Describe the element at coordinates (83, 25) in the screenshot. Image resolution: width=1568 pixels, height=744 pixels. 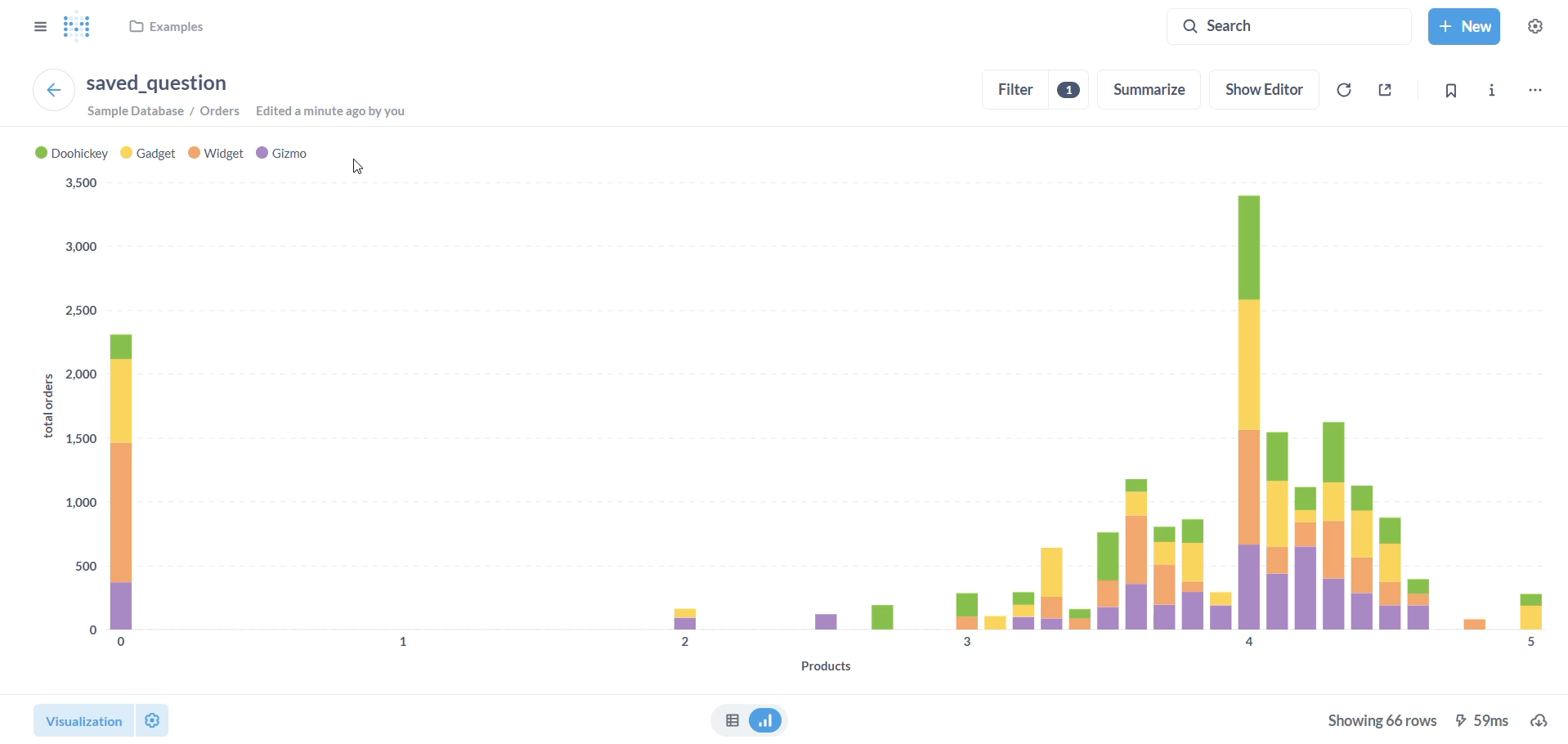
I see `metabase logo` at that location.